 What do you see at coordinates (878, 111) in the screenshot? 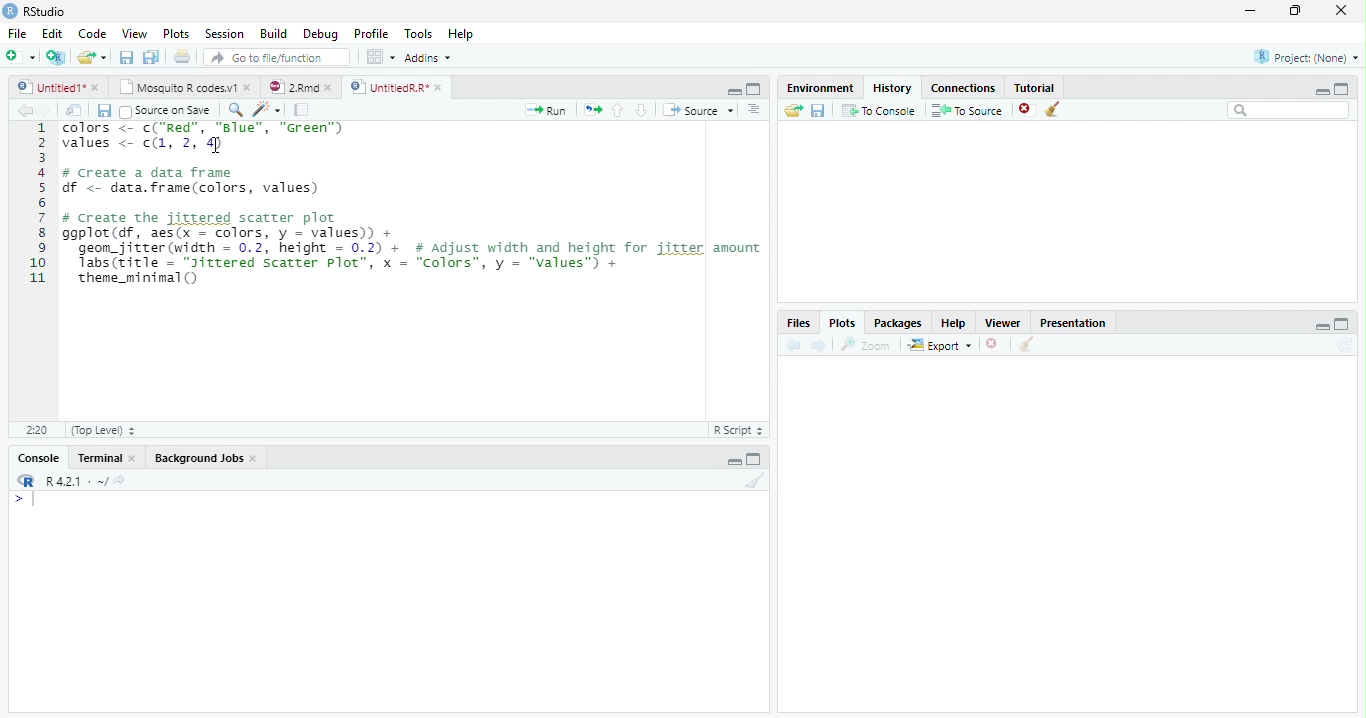
I see `To Console` at bounding box center [878, 111].